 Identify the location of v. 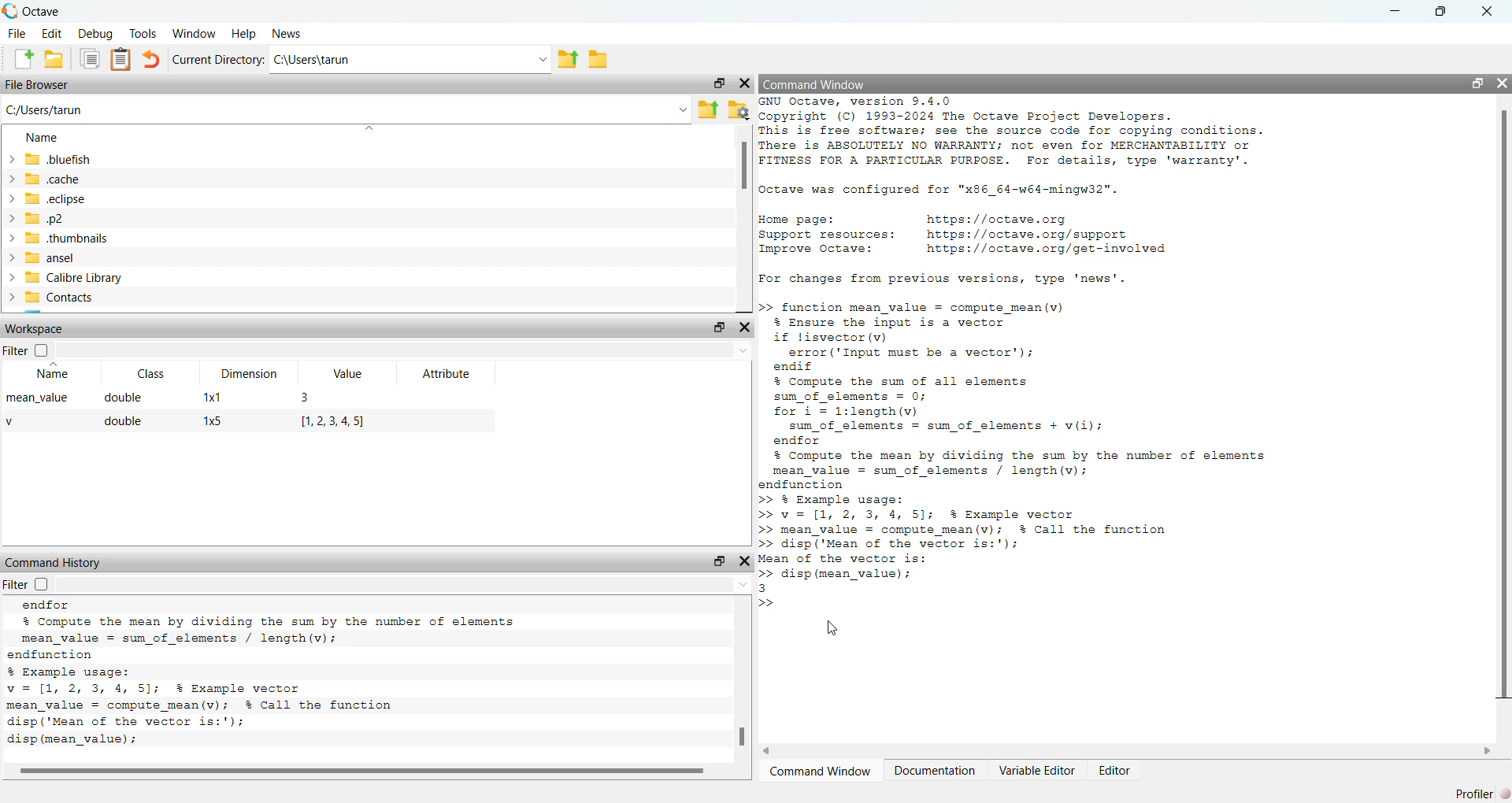
(12, 422).